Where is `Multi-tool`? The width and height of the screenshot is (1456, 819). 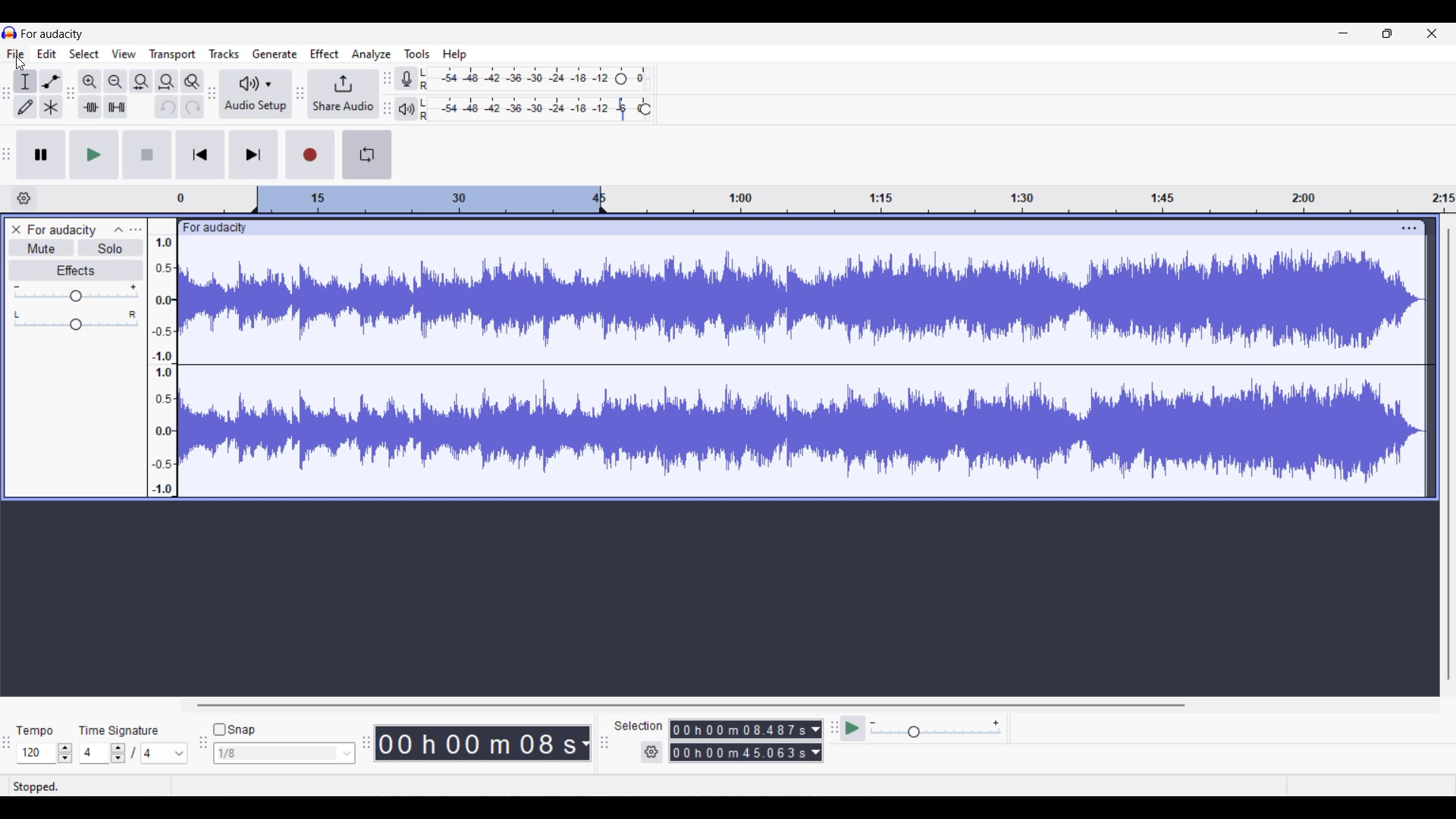 Multi-tool is located at coordinates (51, 107).